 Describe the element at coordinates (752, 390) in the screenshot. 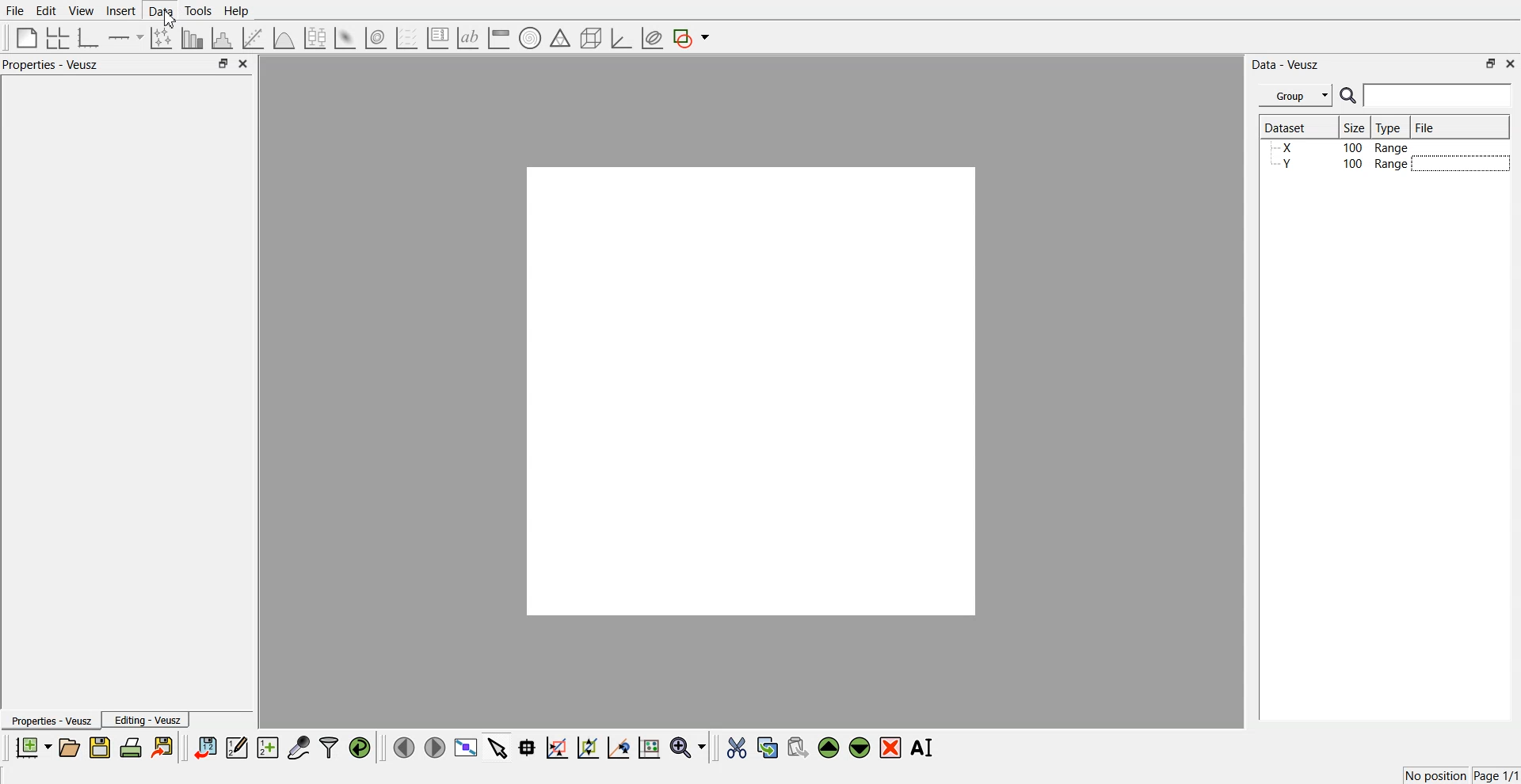

I see `Preview window` at that location.